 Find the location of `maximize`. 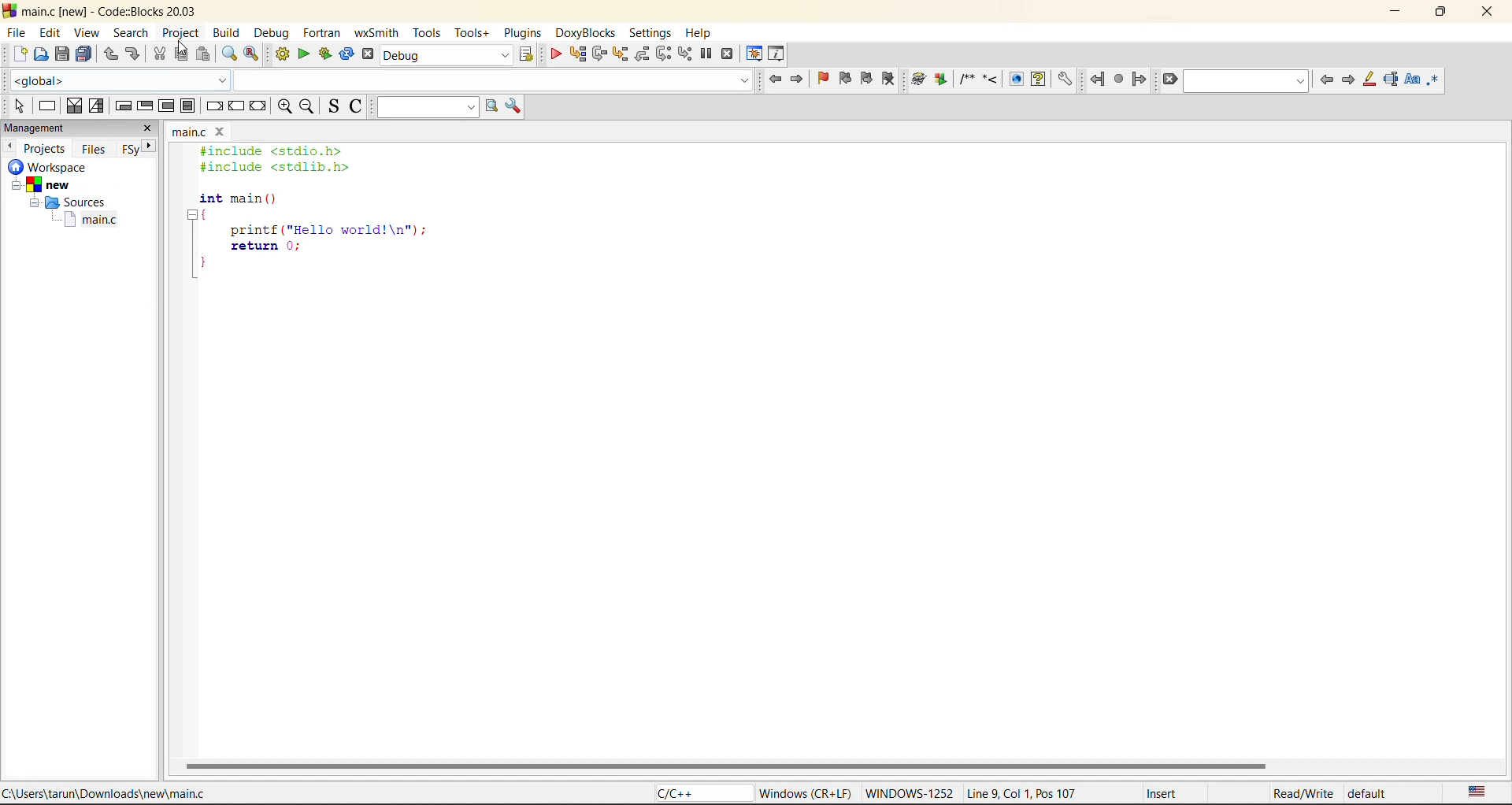

maximize is located at coordinates (1444, 14).